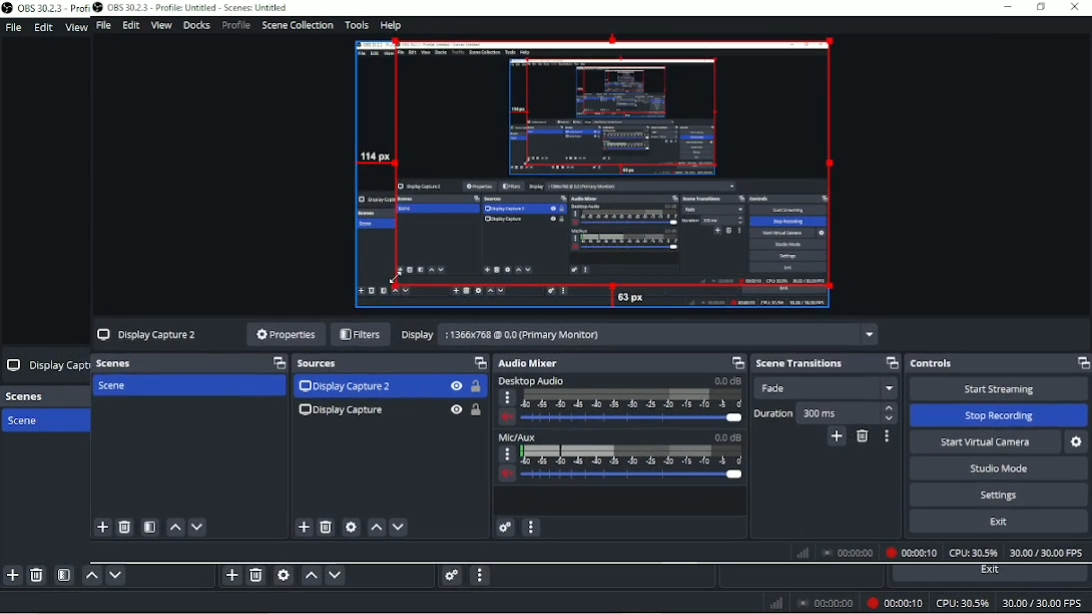 The image size is (1092, 614). Describe the element at coordinates (726, 382) in the screenshot. I see `0.0 dB` at that location.